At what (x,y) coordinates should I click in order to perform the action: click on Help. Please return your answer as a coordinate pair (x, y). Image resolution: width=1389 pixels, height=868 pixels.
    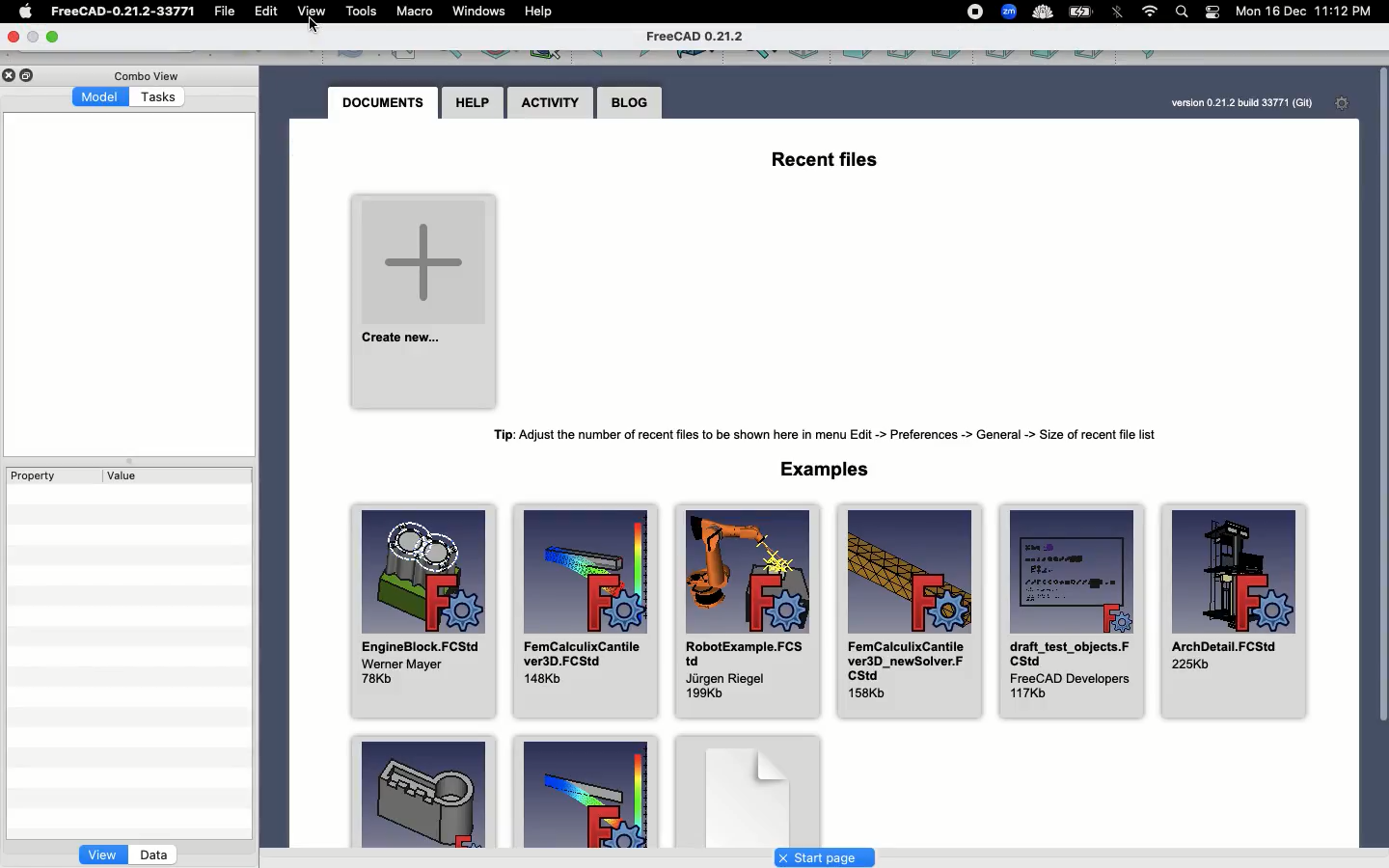
    Looking at the image, I should click on (473, 103).